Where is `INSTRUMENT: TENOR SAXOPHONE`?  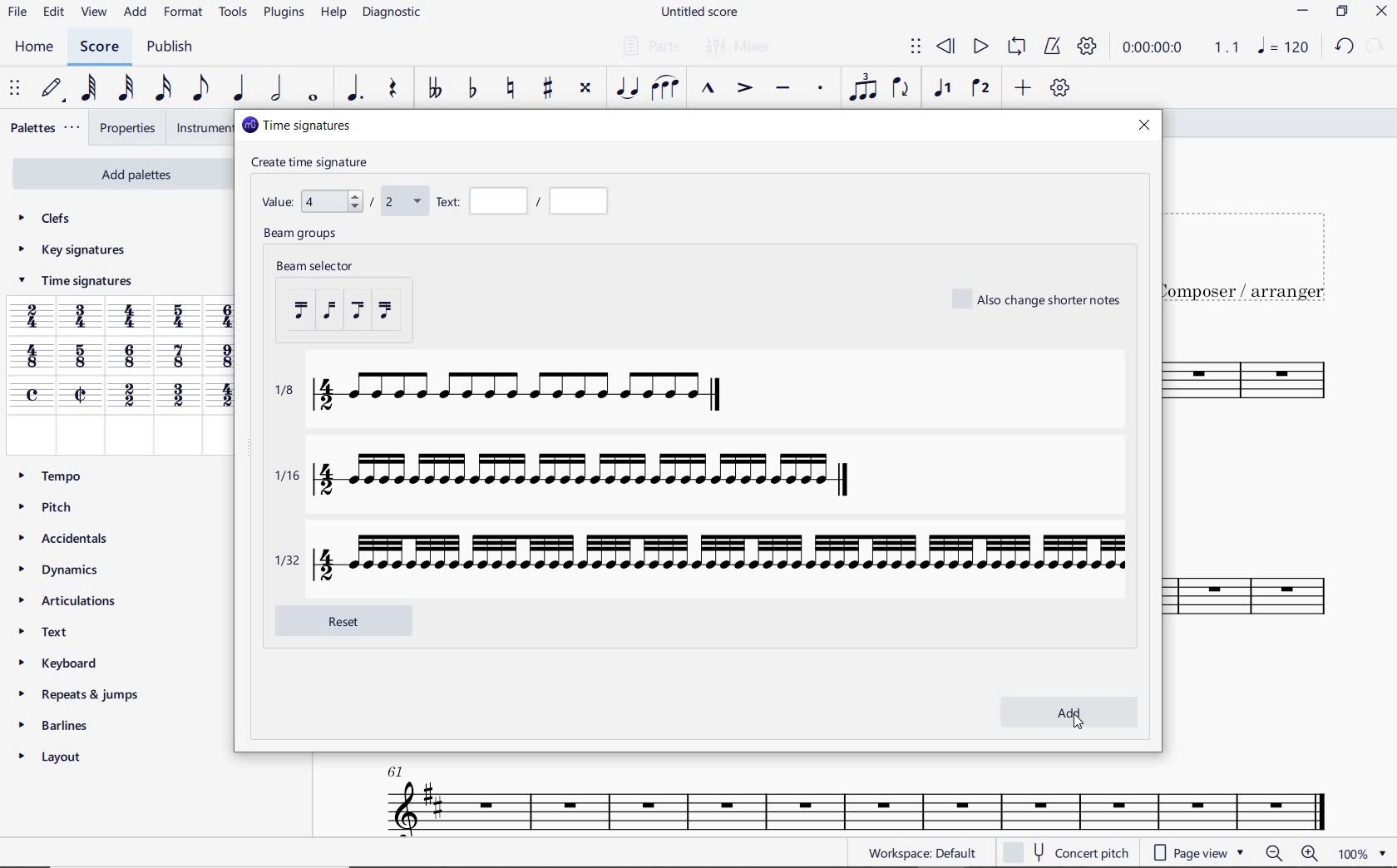
INSTRUMENT: TENOR SAXOPHONE is located at coordinates (1256, 502).